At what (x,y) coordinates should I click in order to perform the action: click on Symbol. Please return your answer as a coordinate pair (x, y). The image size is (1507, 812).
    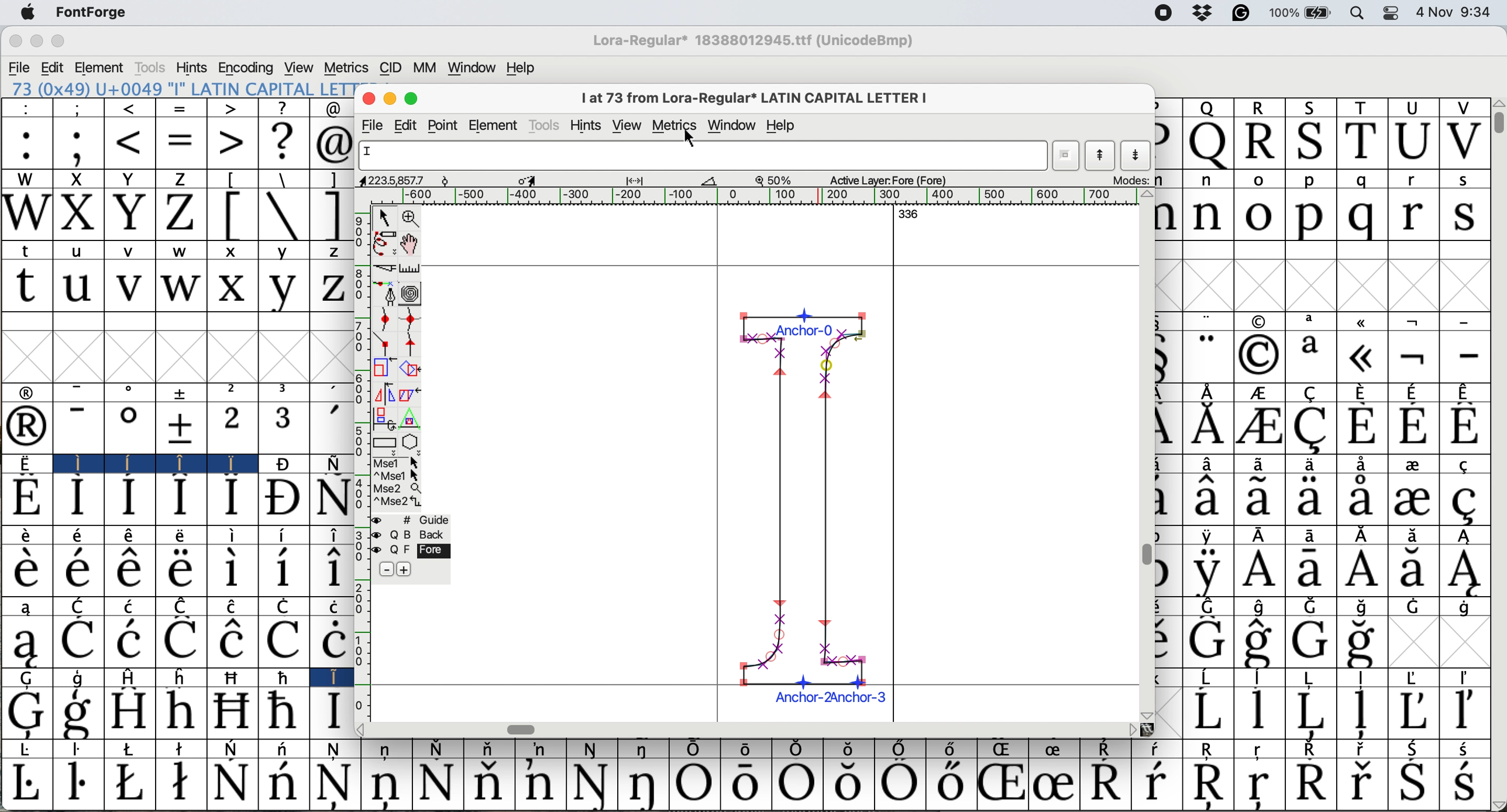
    Looking at the image, I should click on (1264, 677).